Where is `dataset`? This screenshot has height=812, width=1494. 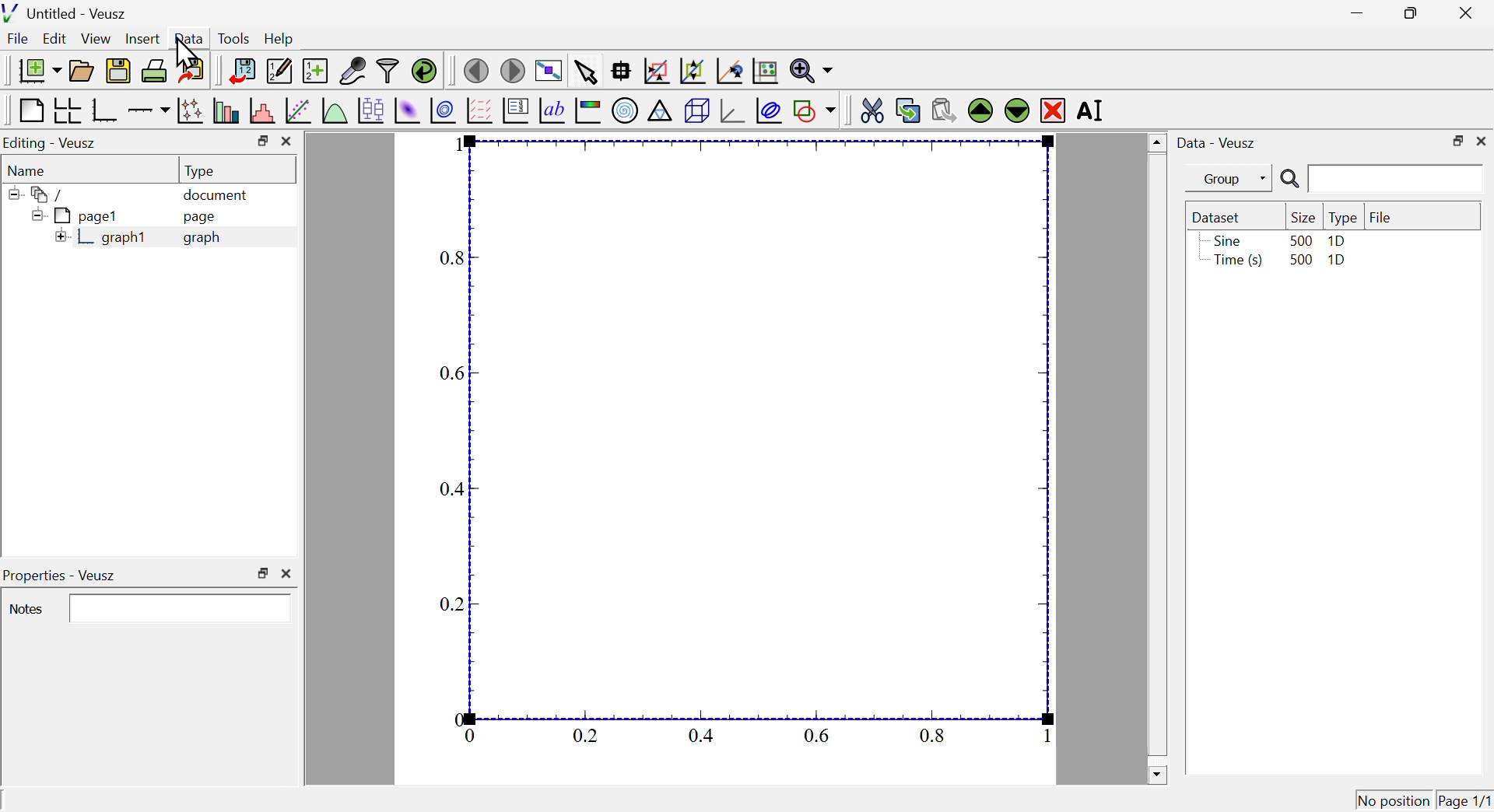 dataset is located at coordinates (1220, 217).